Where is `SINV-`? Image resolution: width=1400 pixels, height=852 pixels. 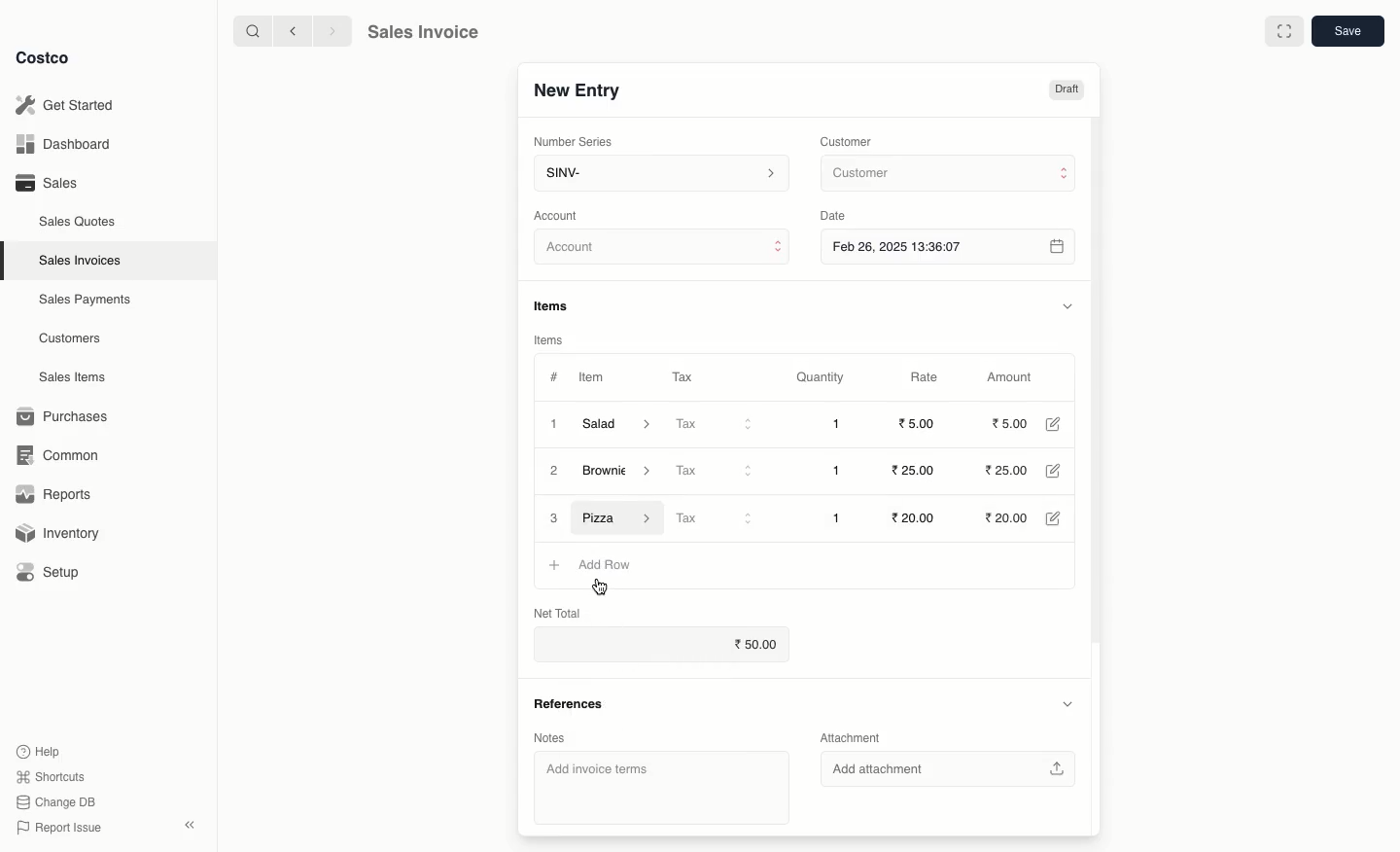 SINV- is located at coordinates (660, 175).